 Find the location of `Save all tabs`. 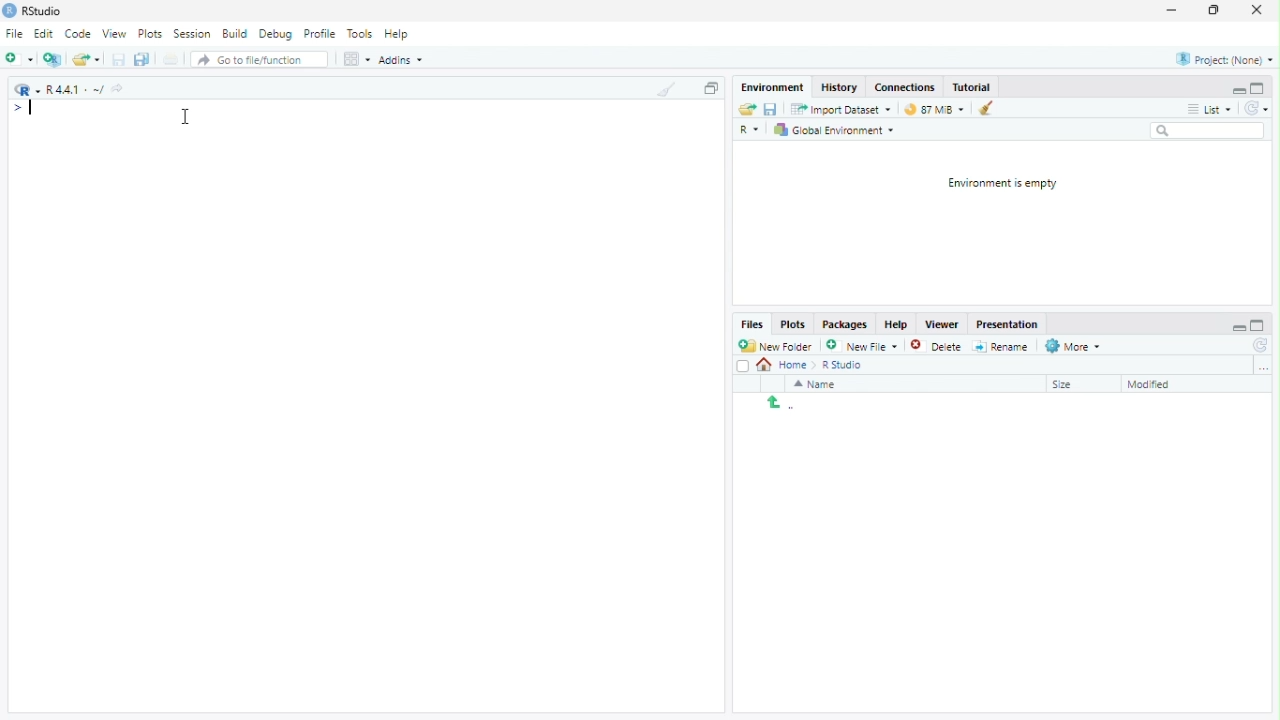

Save all tabs is located at coordinates (141, 58).